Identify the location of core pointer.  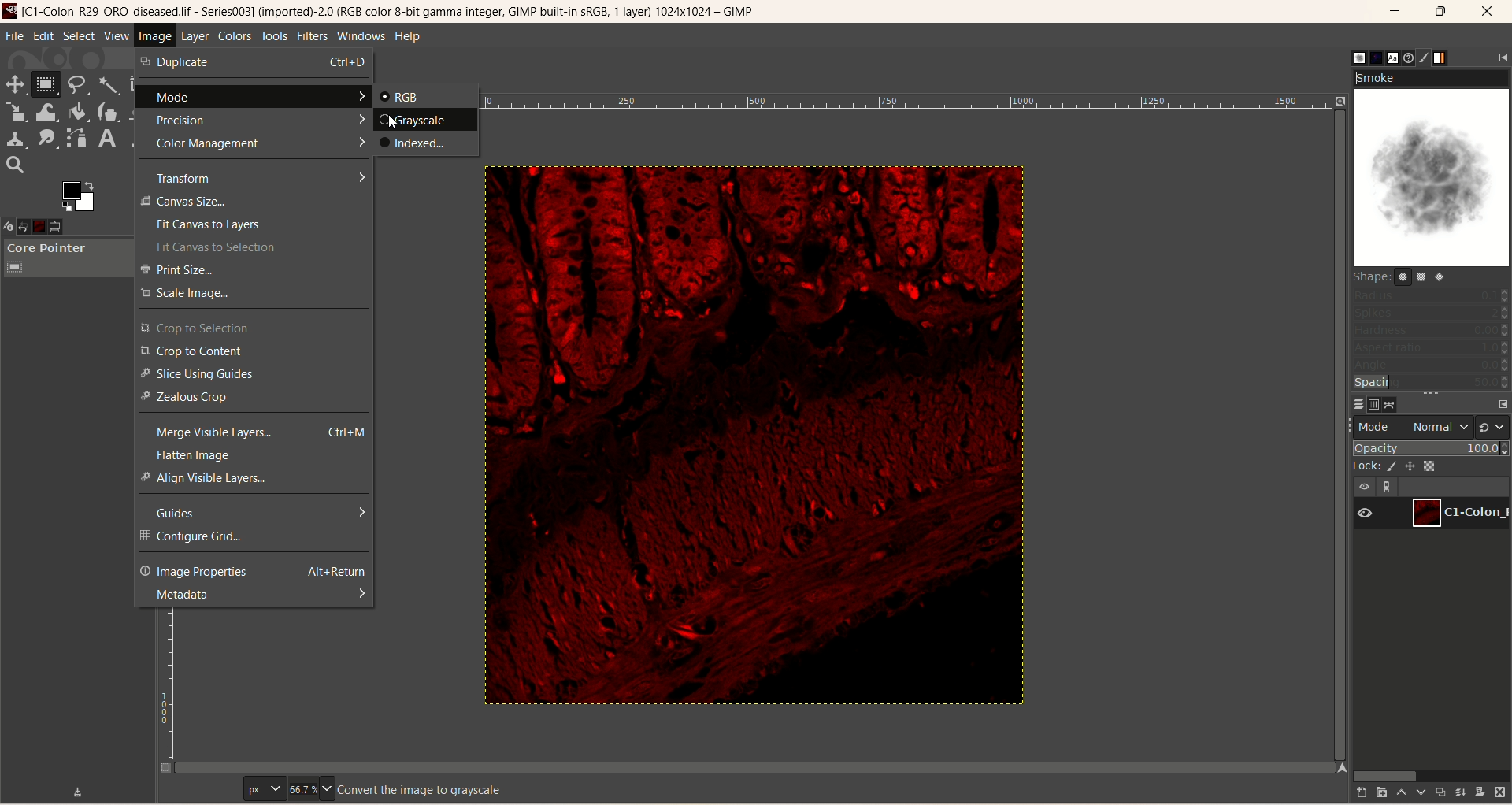
(61, 259).